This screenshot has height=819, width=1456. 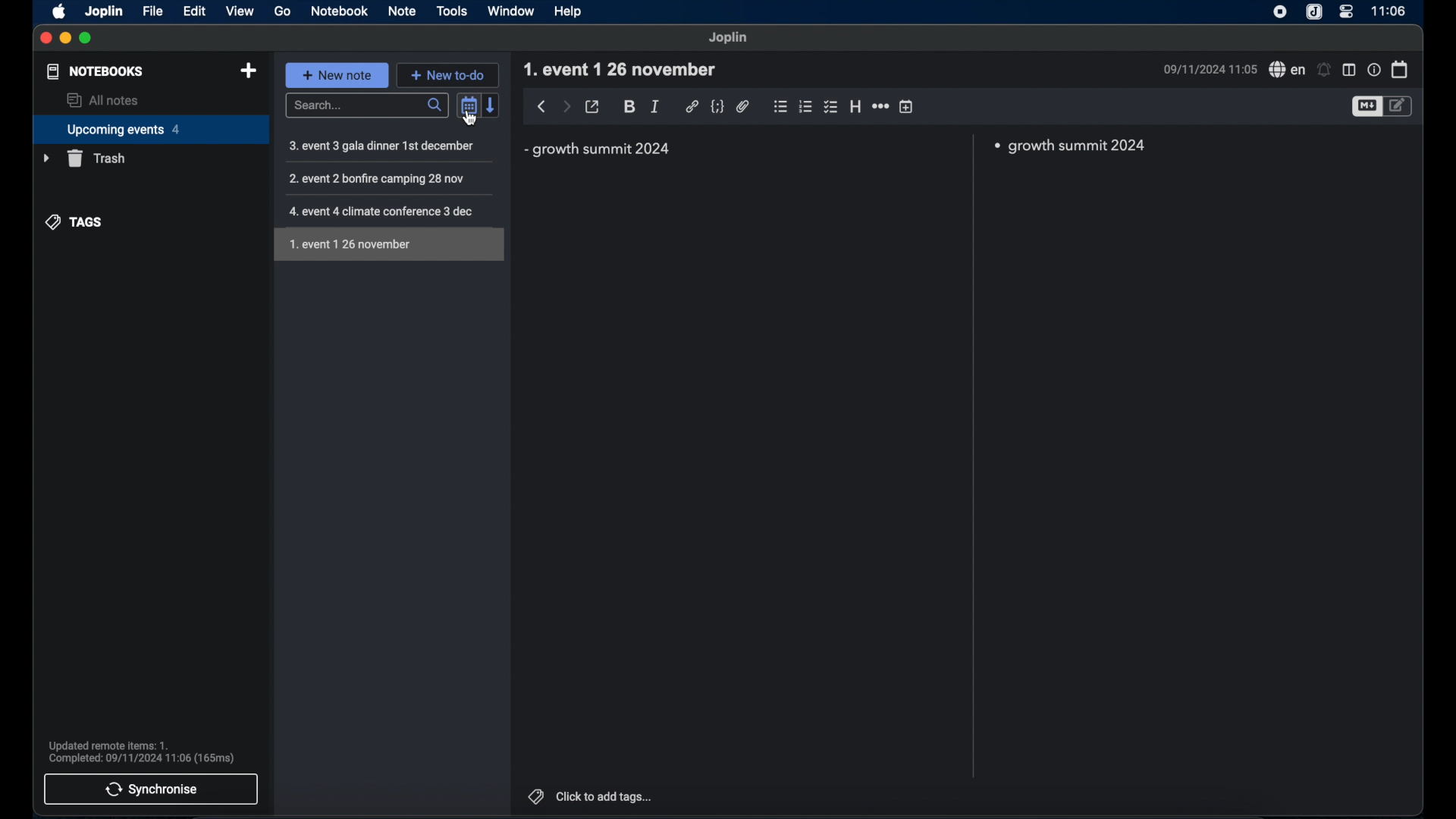 I want to click on + new note, so click(x=337, y=74).